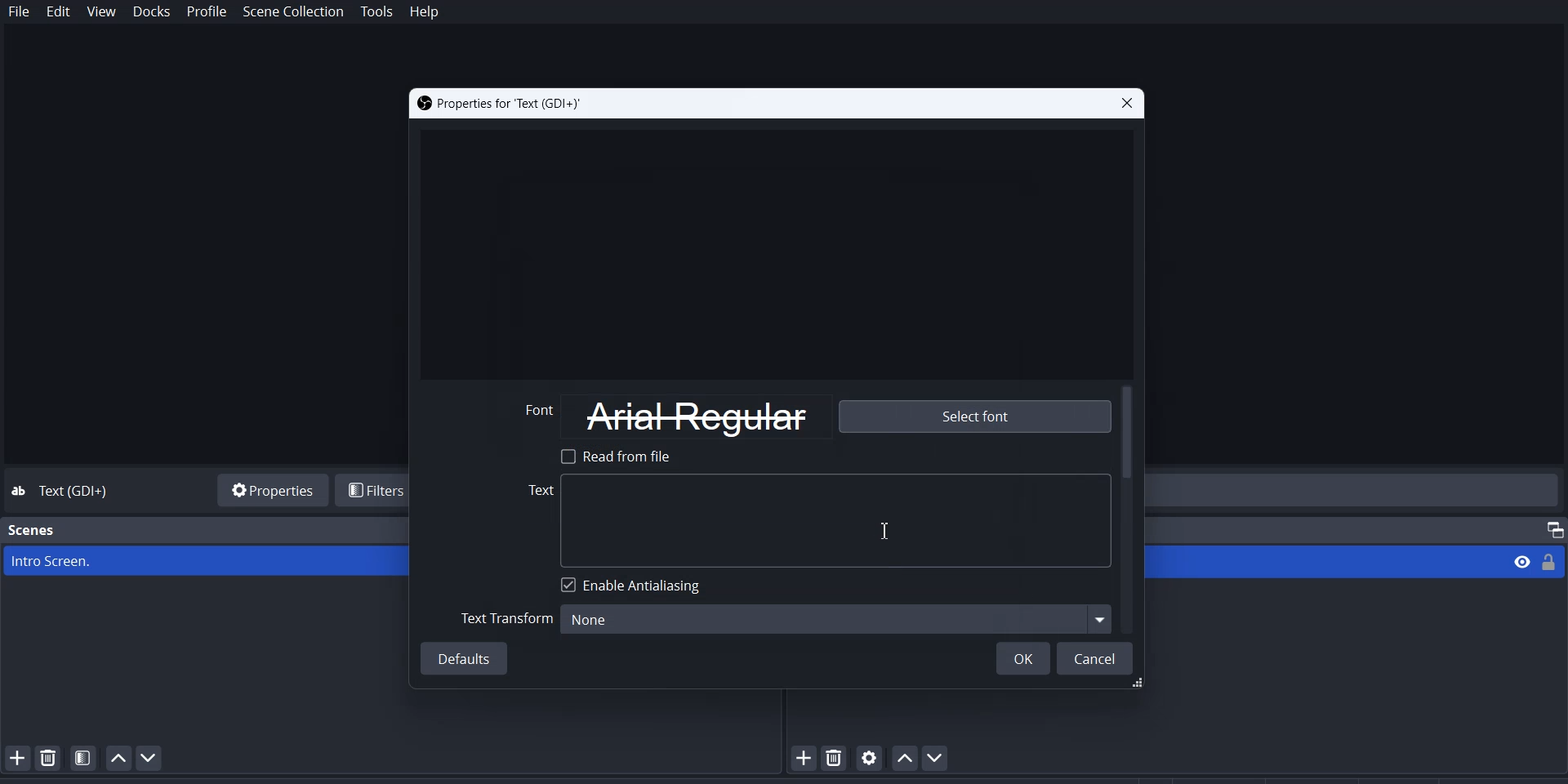 This screenshot has height=784, width=1568. I want to click on View, so click(1517, 561).